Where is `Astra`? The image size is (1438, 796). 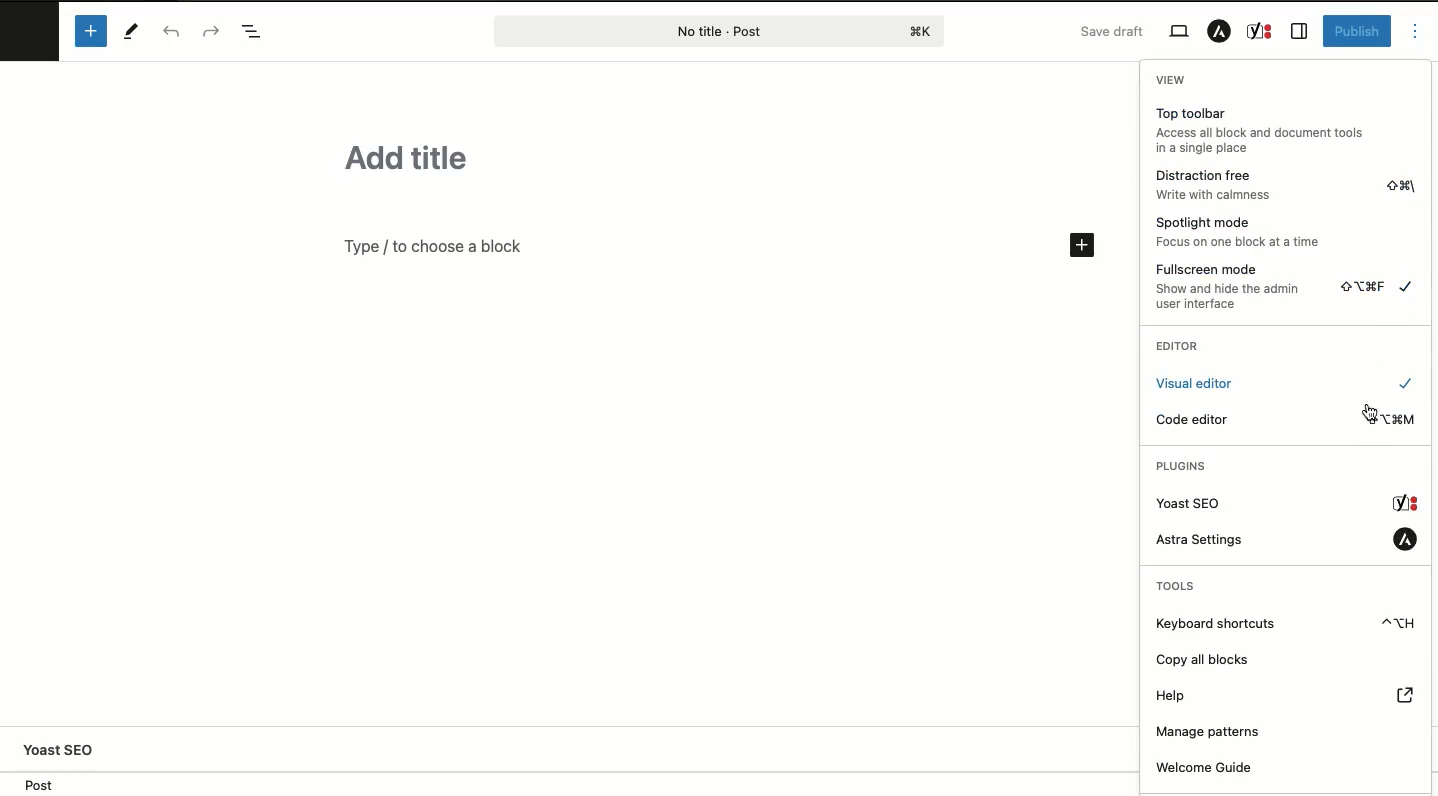 Astra is located at coordinates (1219, 33).